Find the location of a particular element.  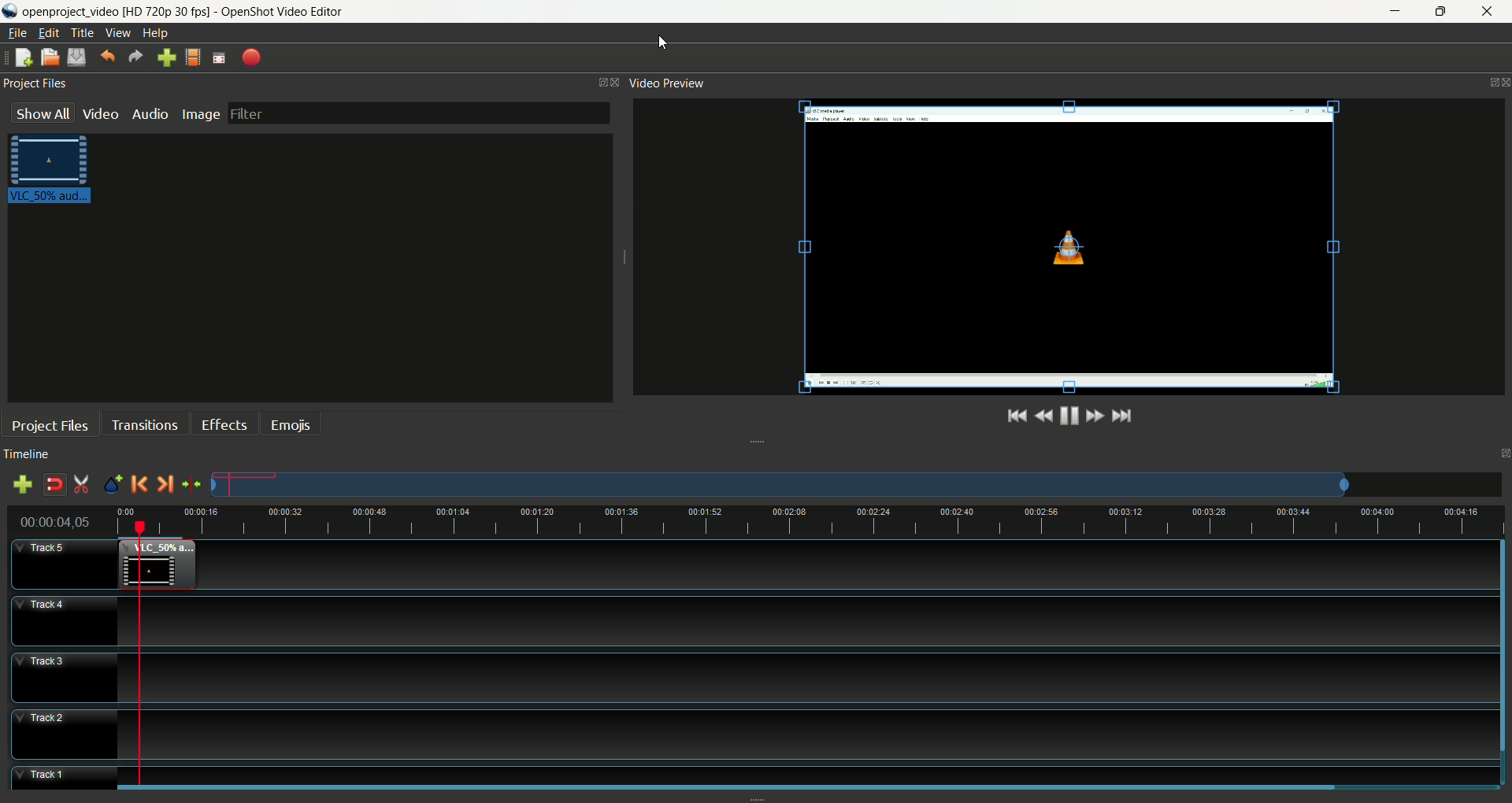

audio is located at coordinates (150, 113).